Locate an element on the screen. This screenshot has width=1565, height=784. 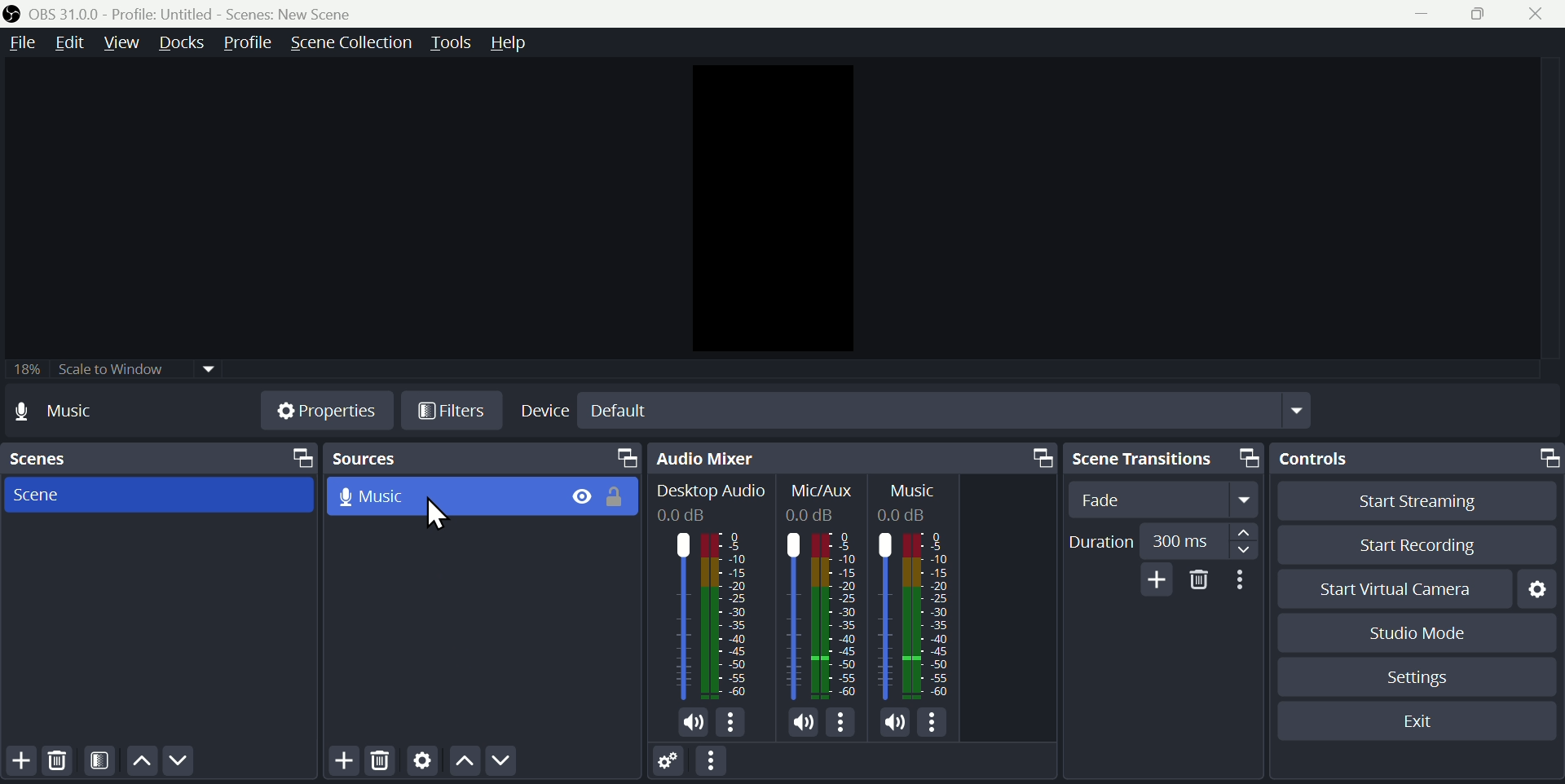
Controls is located at coordinates (1417, 455).